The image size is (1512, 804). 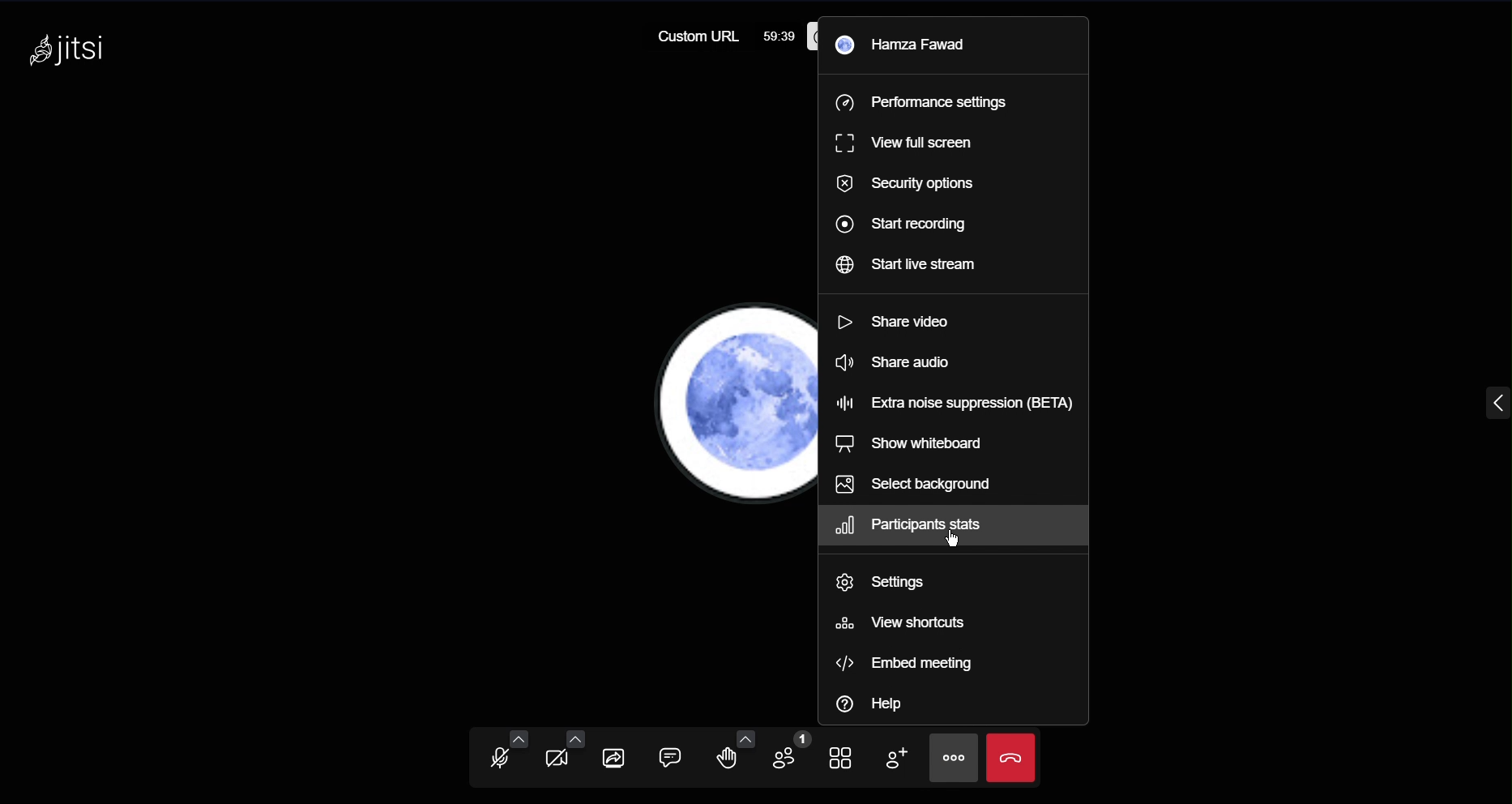 I want to click on Security options, so click(x=907, y=185).